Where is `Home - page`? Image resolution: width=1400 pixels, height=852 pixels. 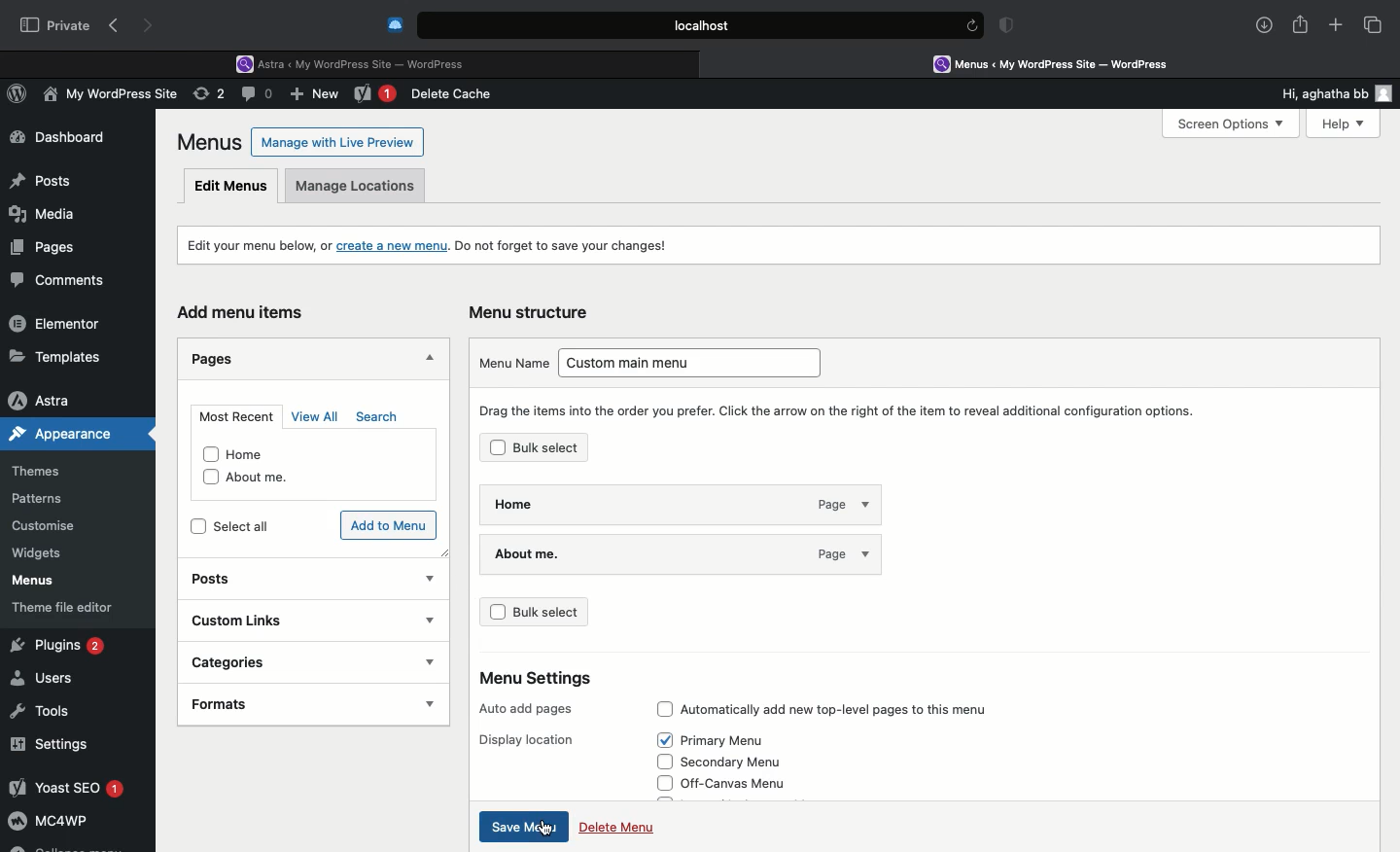
Home - page is located at coordinates (632, 503).